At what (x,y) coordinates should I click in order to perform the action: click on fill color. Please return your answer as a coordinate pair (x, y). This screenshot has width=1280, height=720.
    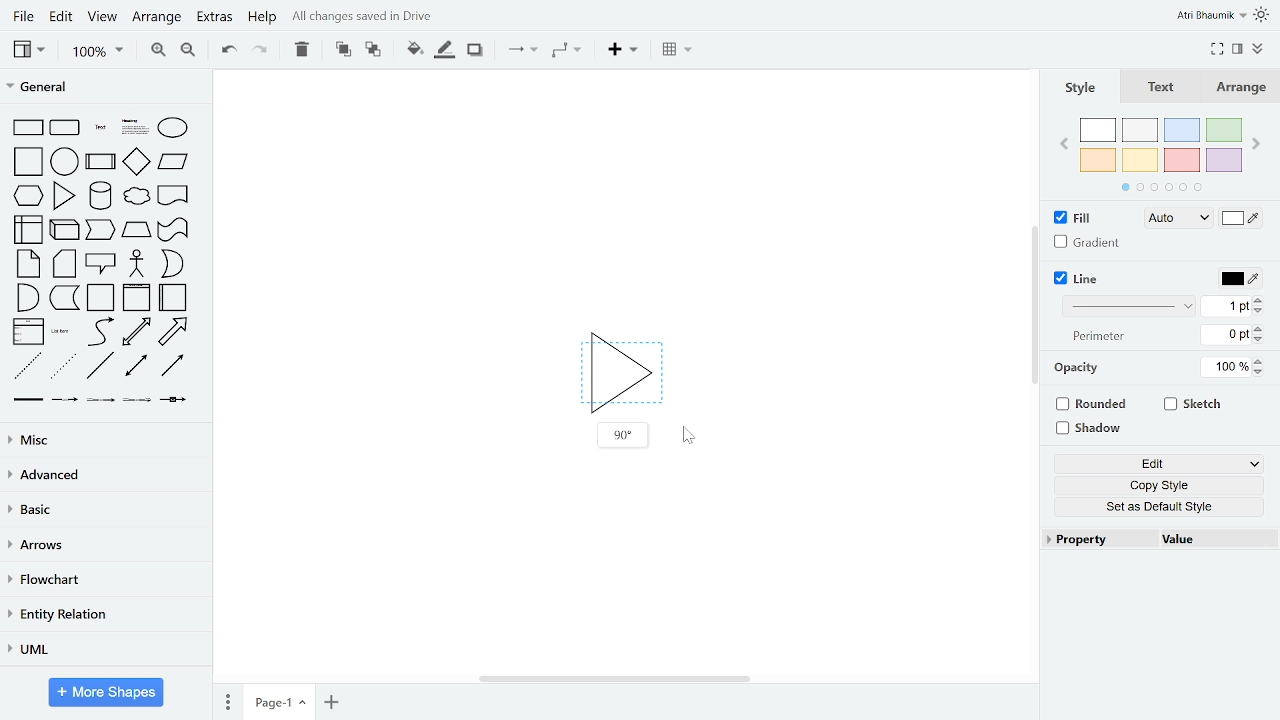
    Looking at the image, I should click on (1240, 221).